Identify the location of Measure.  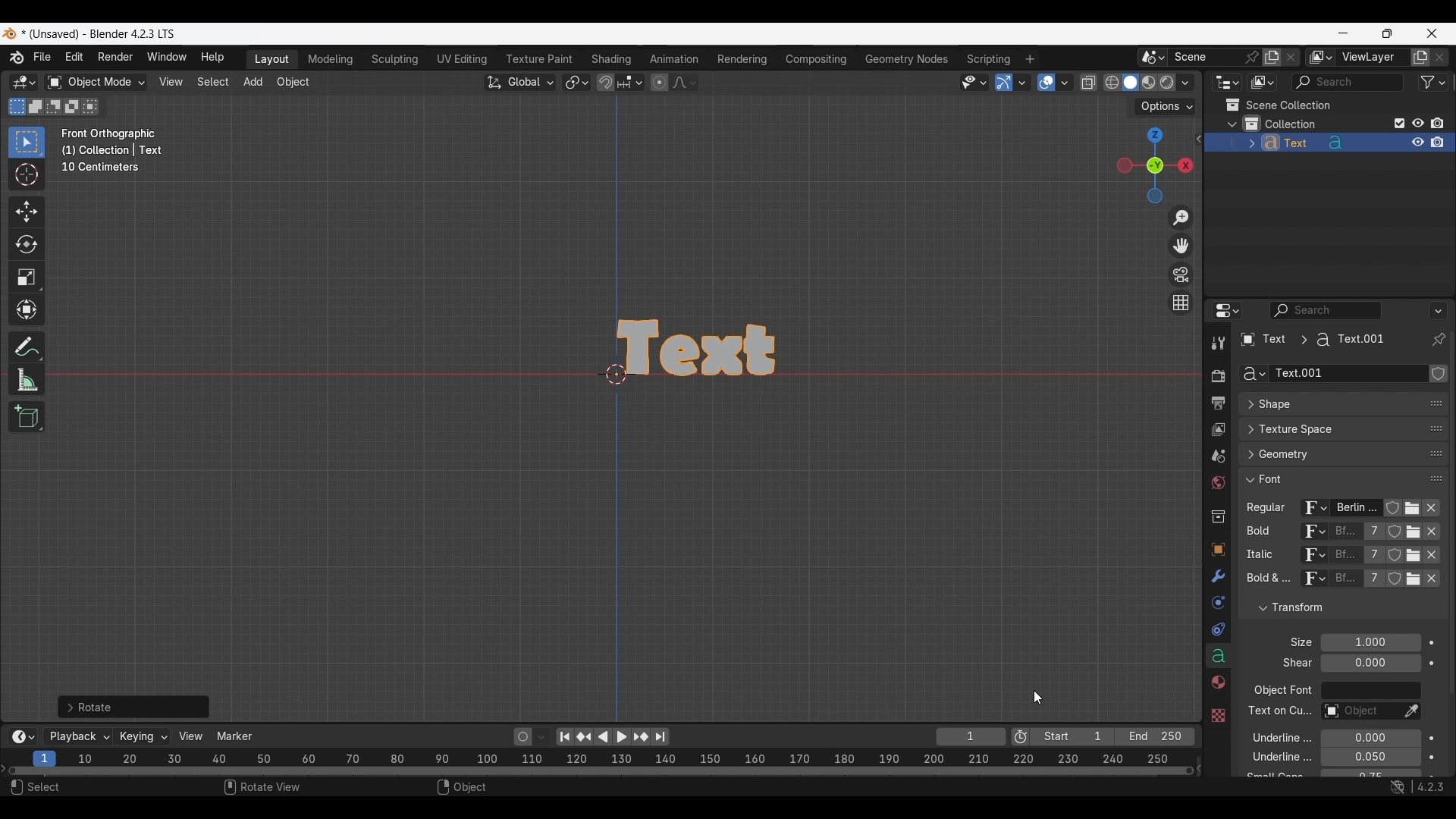
(27, 380).